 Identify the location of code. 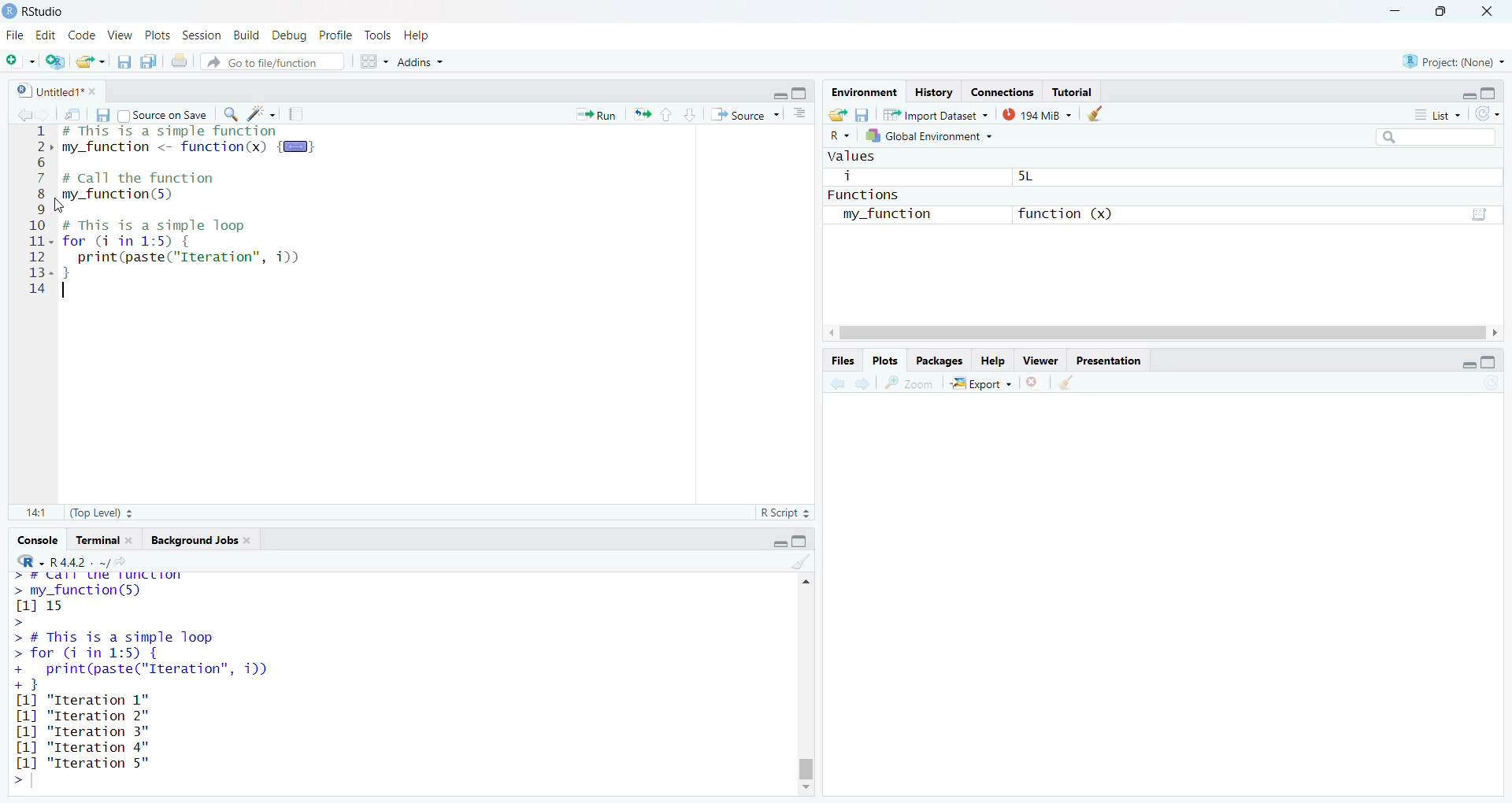
(82, 33).